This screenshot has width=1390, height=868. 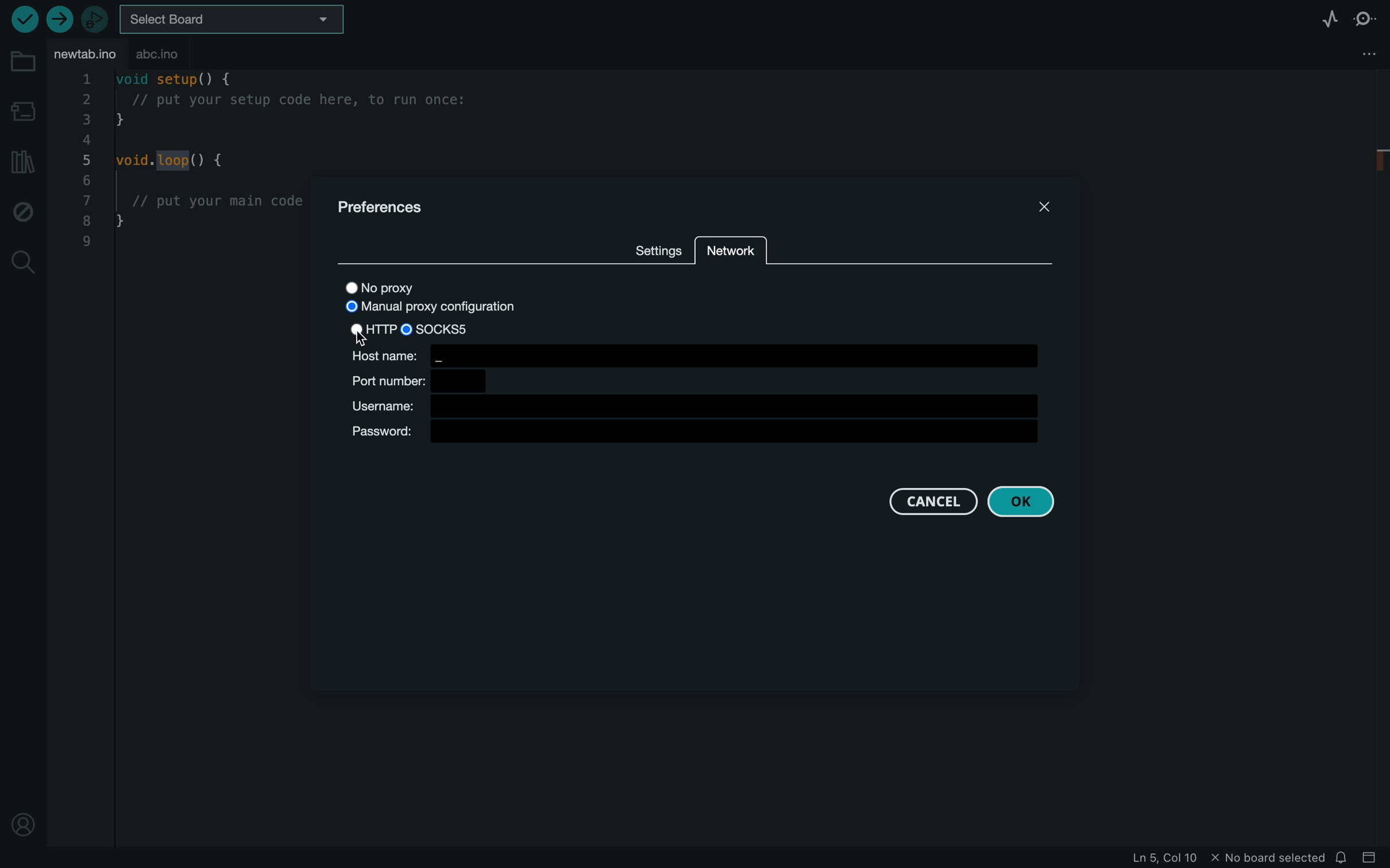 What do you see at coordinates (699, 406) in the screenshot?
I see `username` at bounding box center [699, 406].